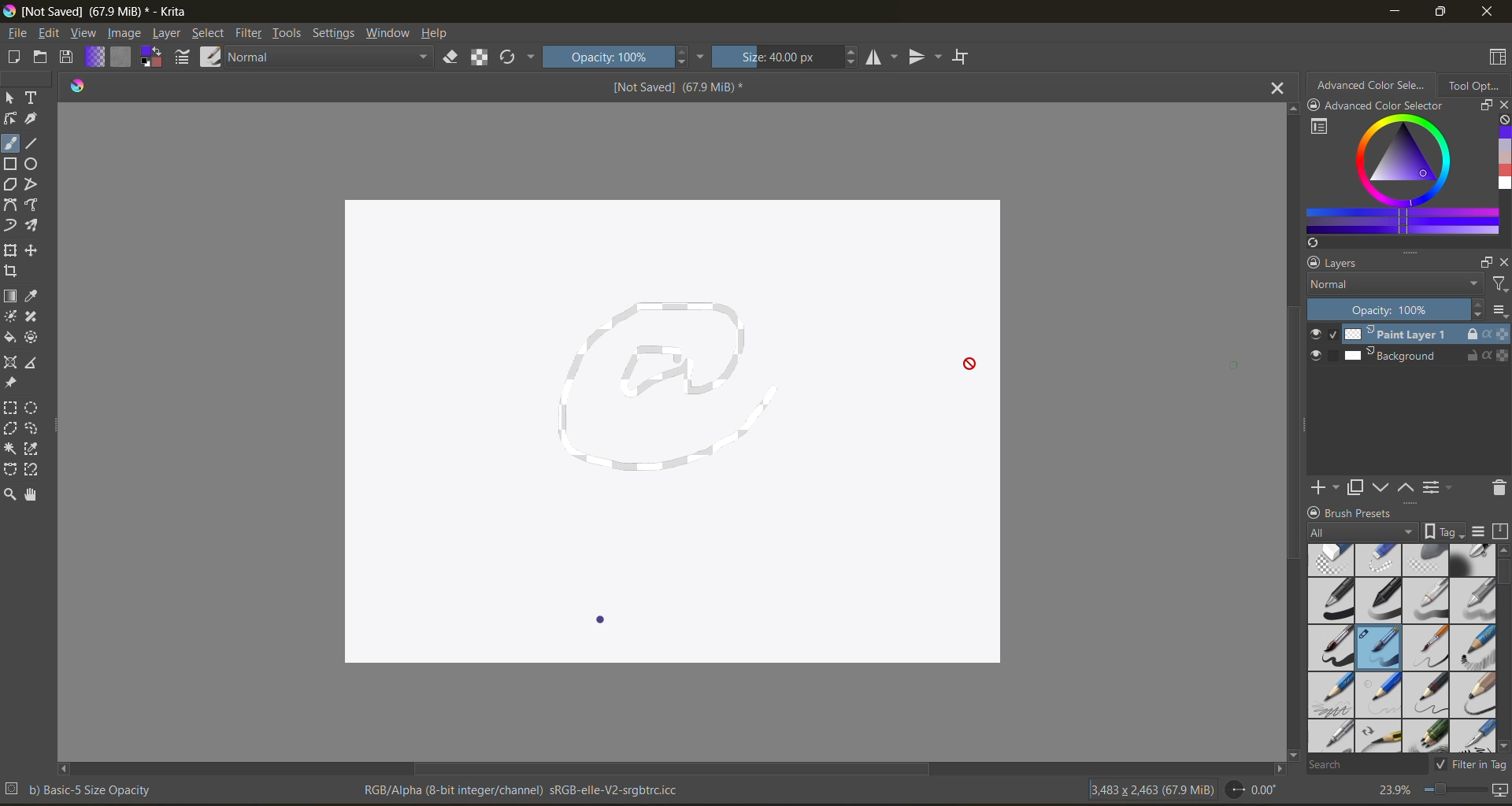 The image size is (1512, 806). Describe the element at coordinates (9, 205) in the screenshot. I see `bezier curve` at that location.